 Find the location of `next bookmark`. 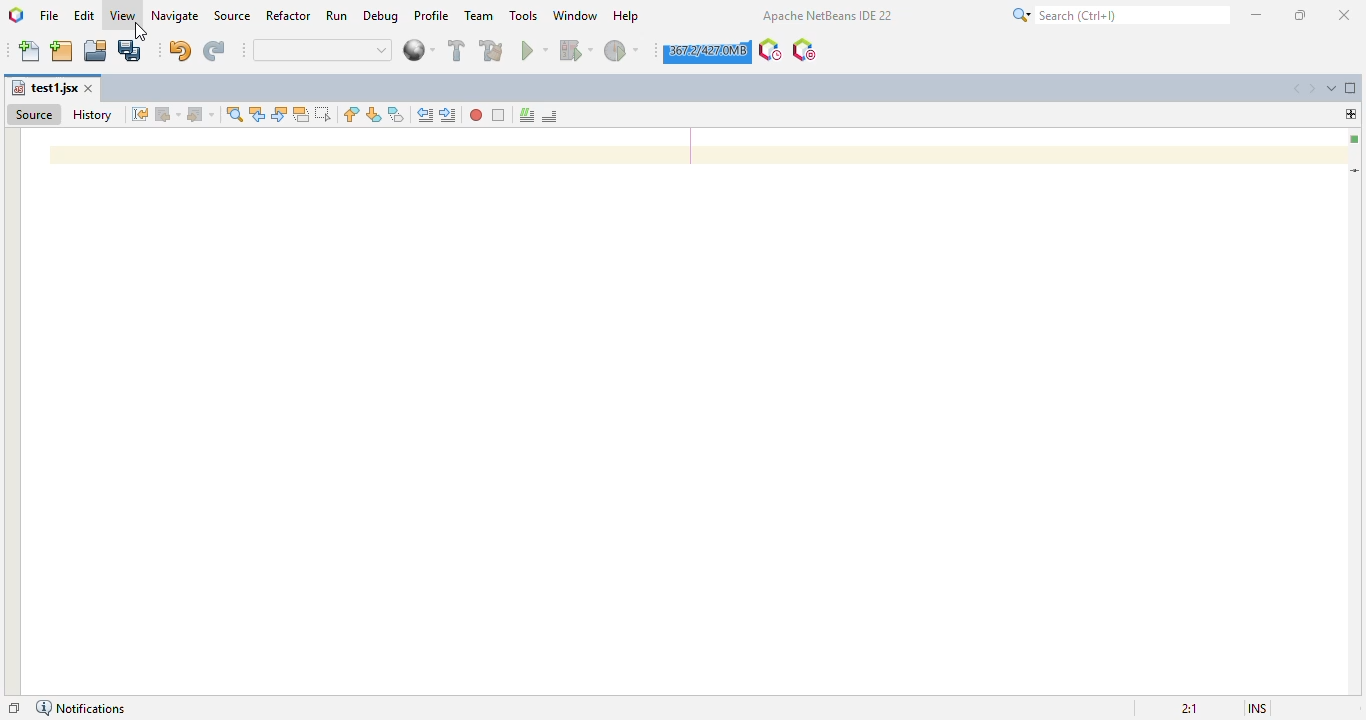

next bookmark is located at coordinates (374, 114).